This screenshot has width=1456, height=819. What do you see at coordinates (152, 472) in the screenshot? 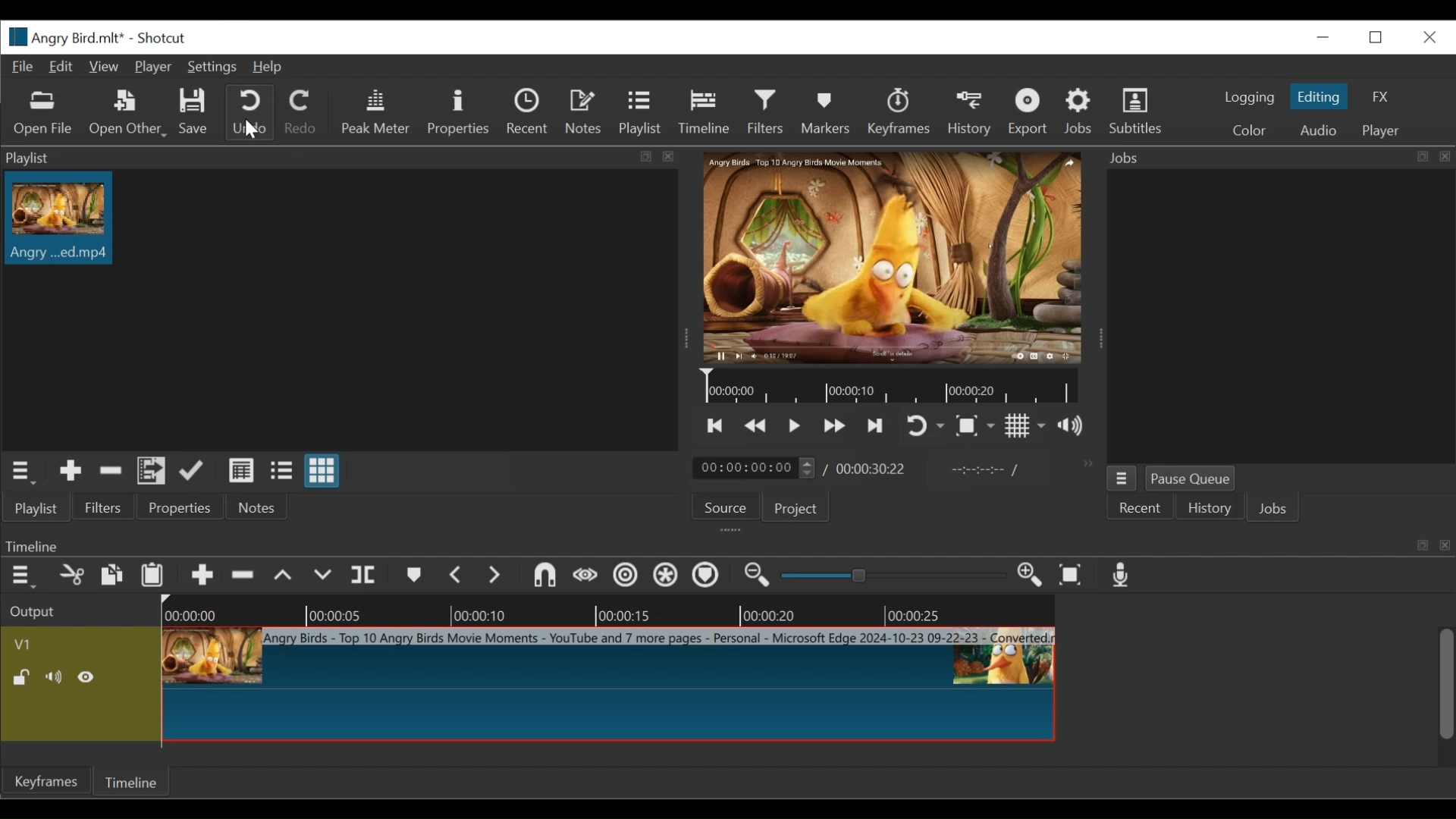
I see `Add files to the playlist` at bounding box center [152, 472].